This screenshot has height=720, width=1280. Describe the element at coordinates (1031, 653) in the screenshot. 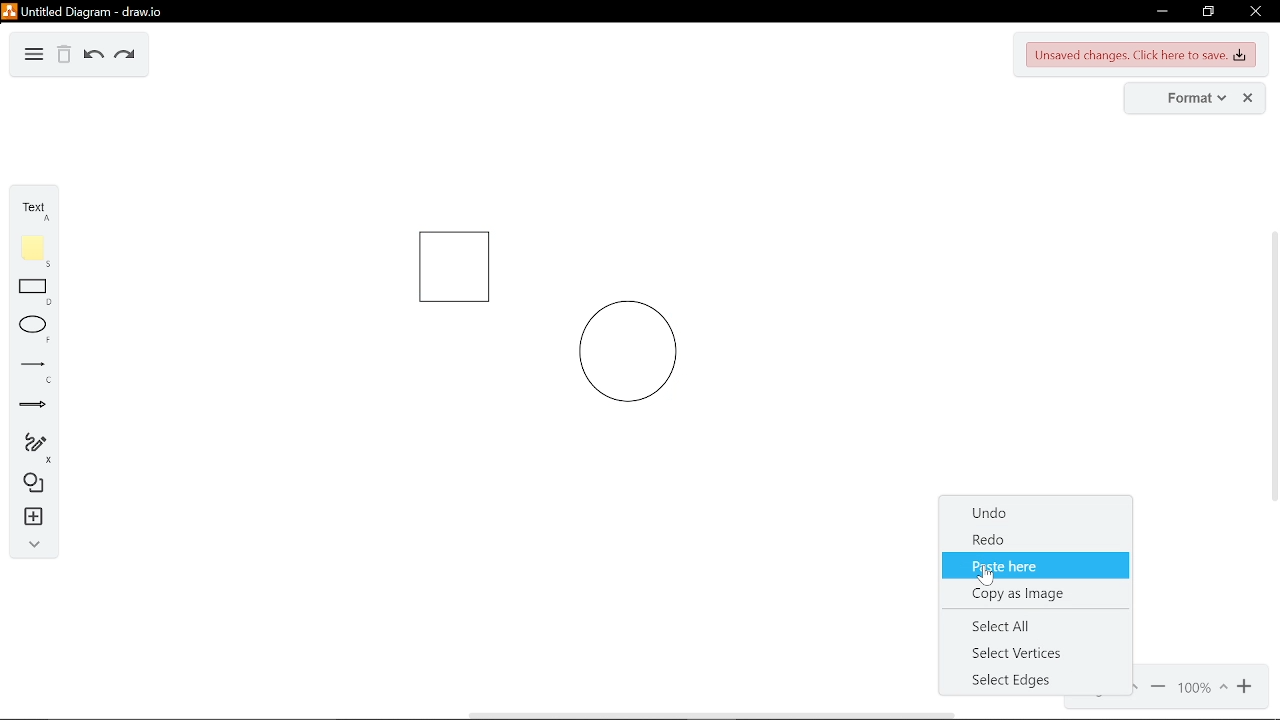

I see `select vertices` at that location.